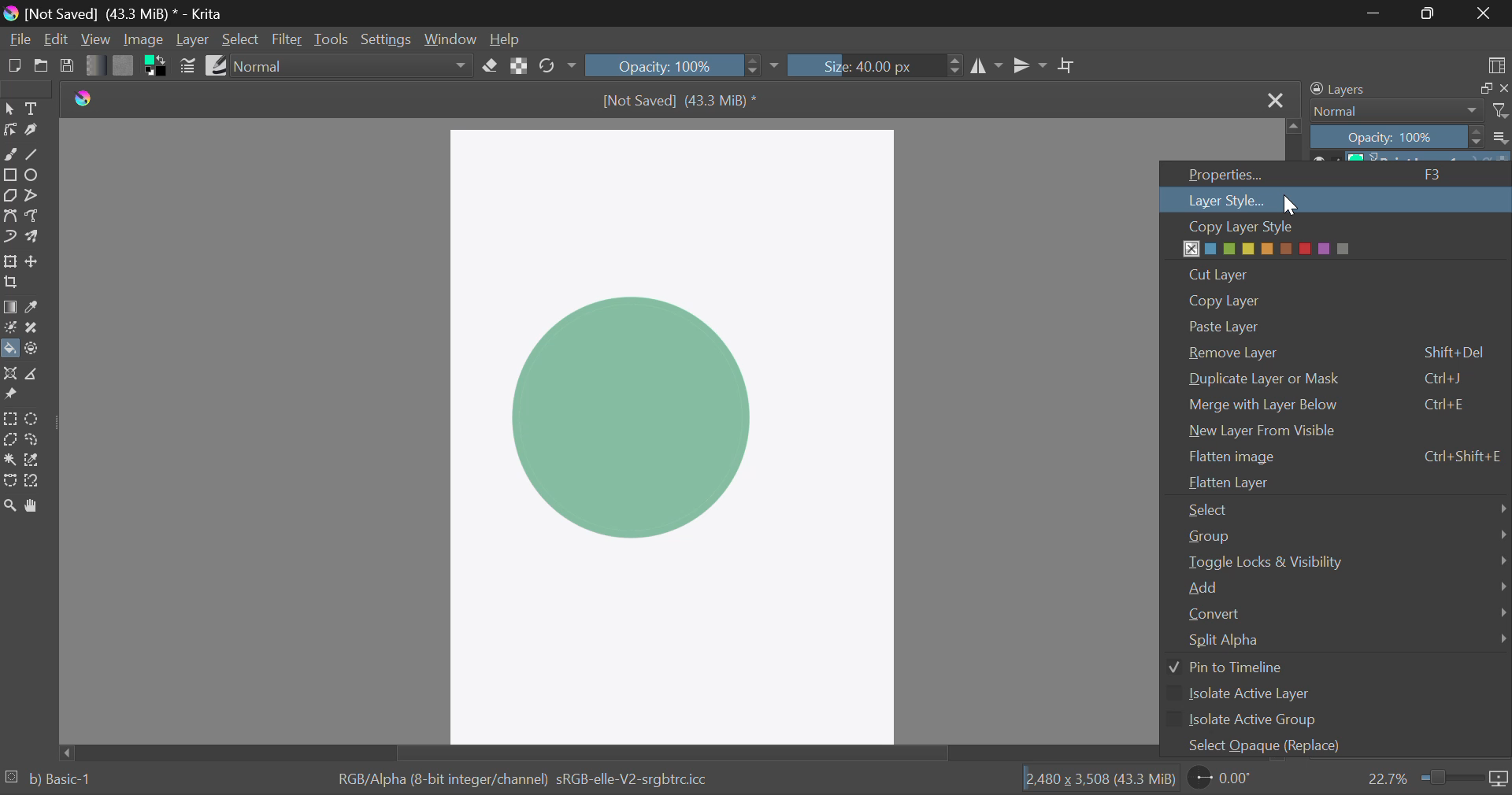  Describe the element at coordinates (684, 102) in the screenshot. I see `File Name & Size` at that location.